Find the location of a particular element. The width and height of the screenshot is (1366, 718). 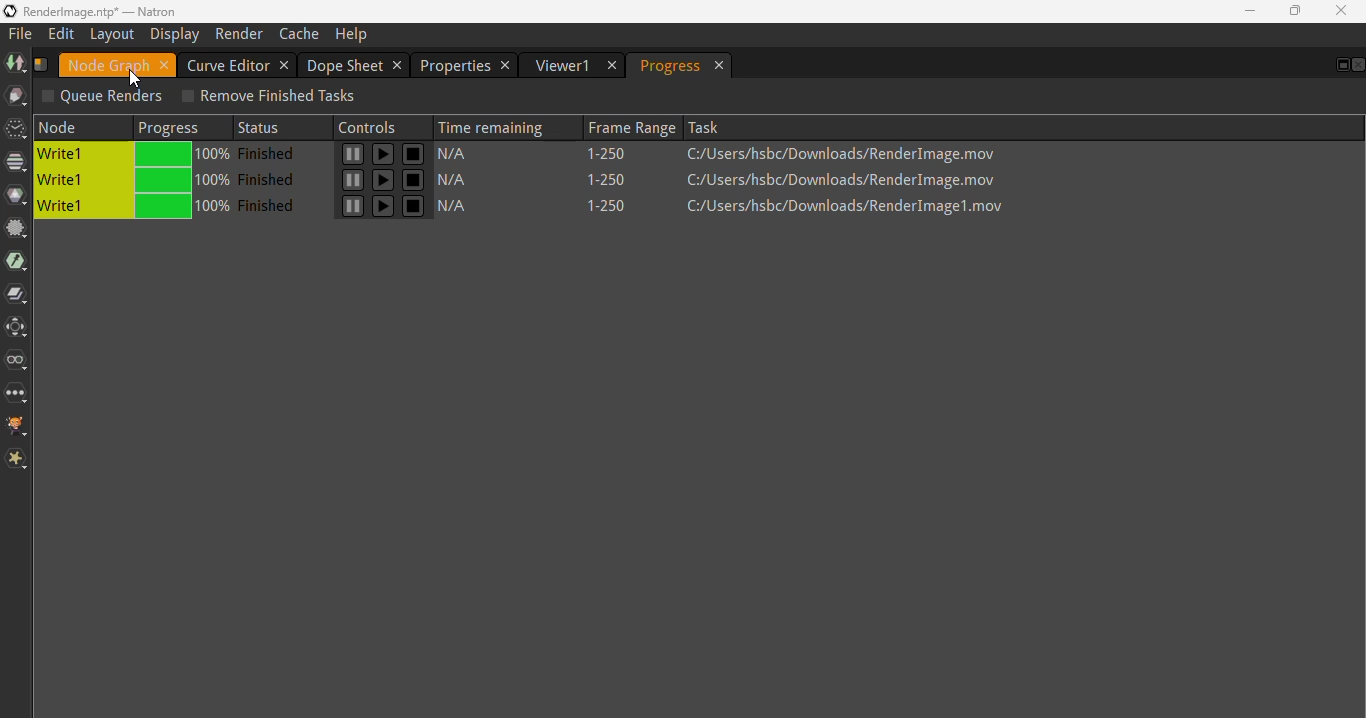

GMIC is located at coordinates (17, 426).